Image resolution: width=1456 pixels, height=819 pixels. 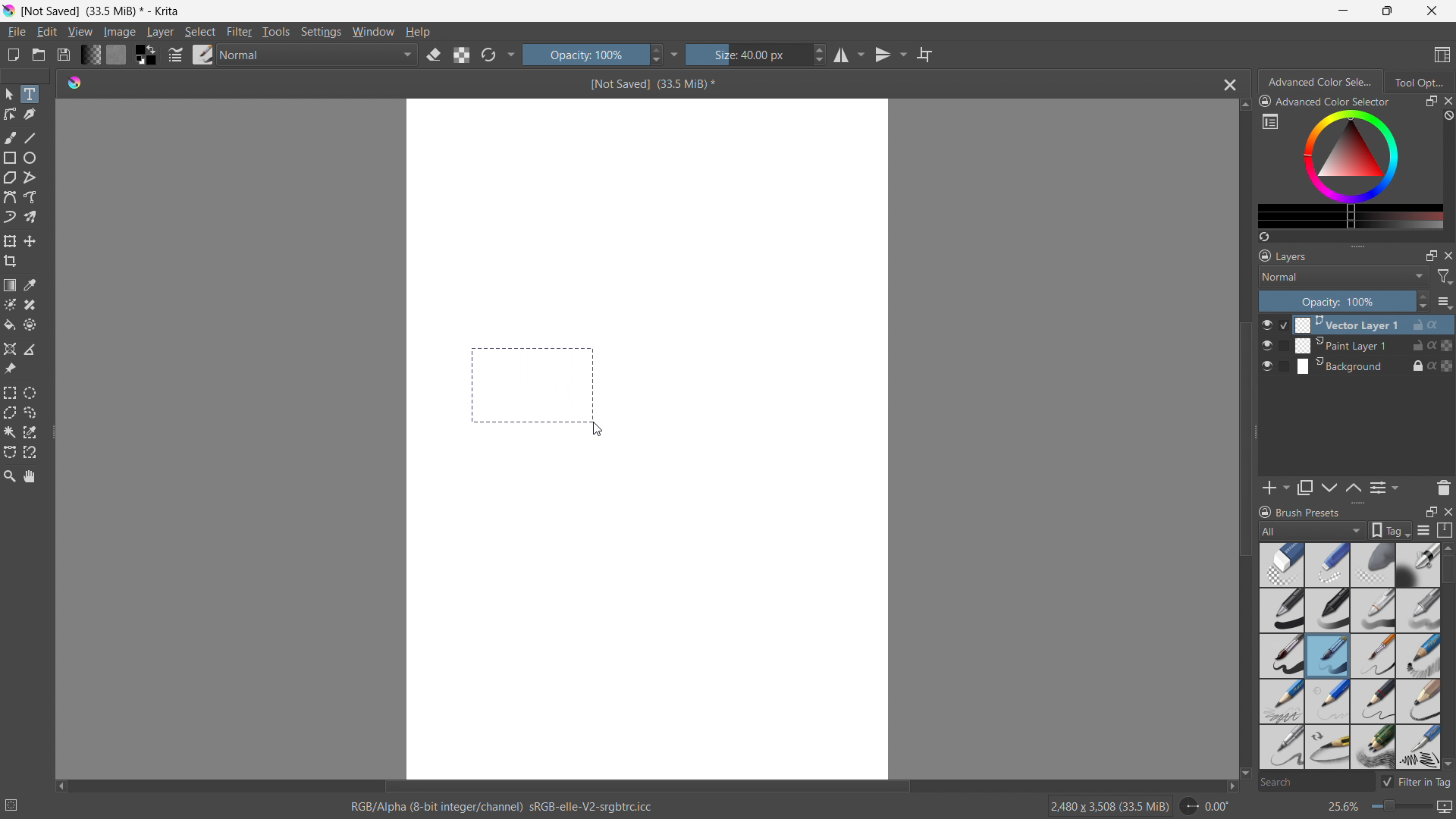 What do you see at coordinates (16, 32) in the screenshot?
I see `file` at bounding box center [16, 32].